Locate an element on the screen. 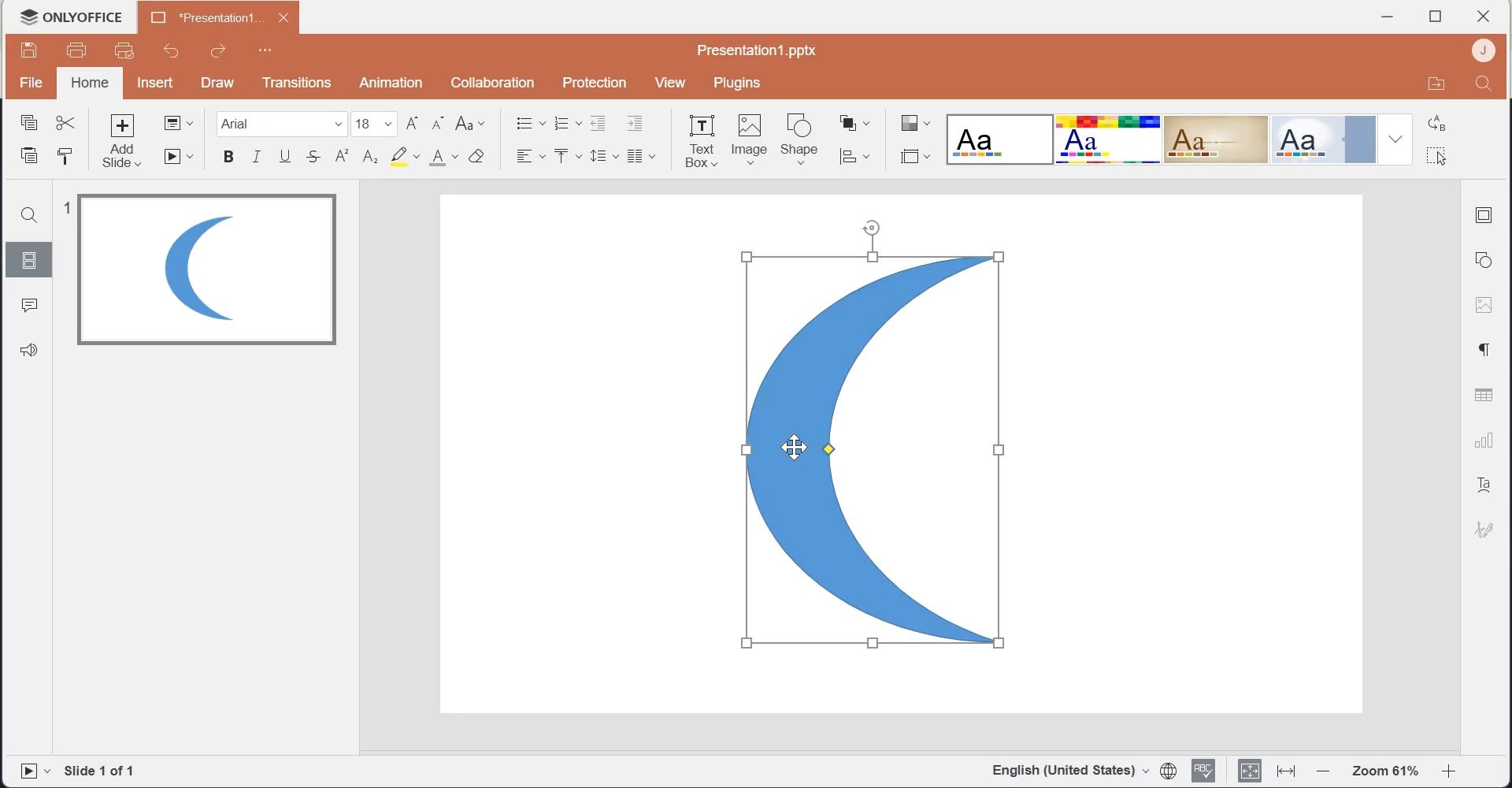 The width and height of the screenshot is (1512, 788). Blank is located at coordinates (1000, 138).